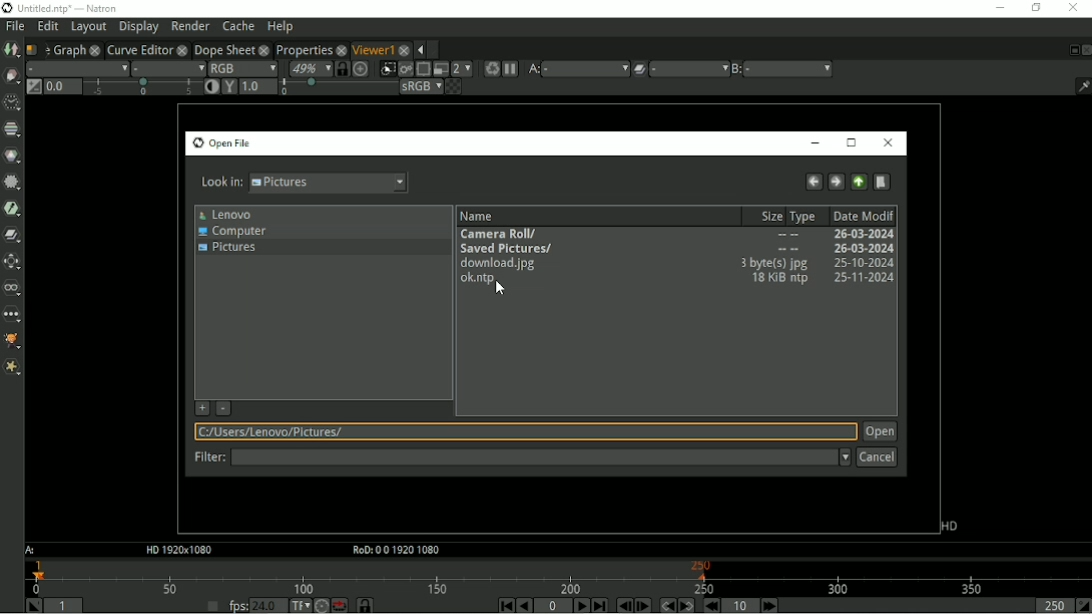 This screenshot has height=614, width=1092. What do you see at coordinates (201, 409) in the screenshot?
I see `ReAdd the current directory to the favorite list` at bounding box center [201, 409].